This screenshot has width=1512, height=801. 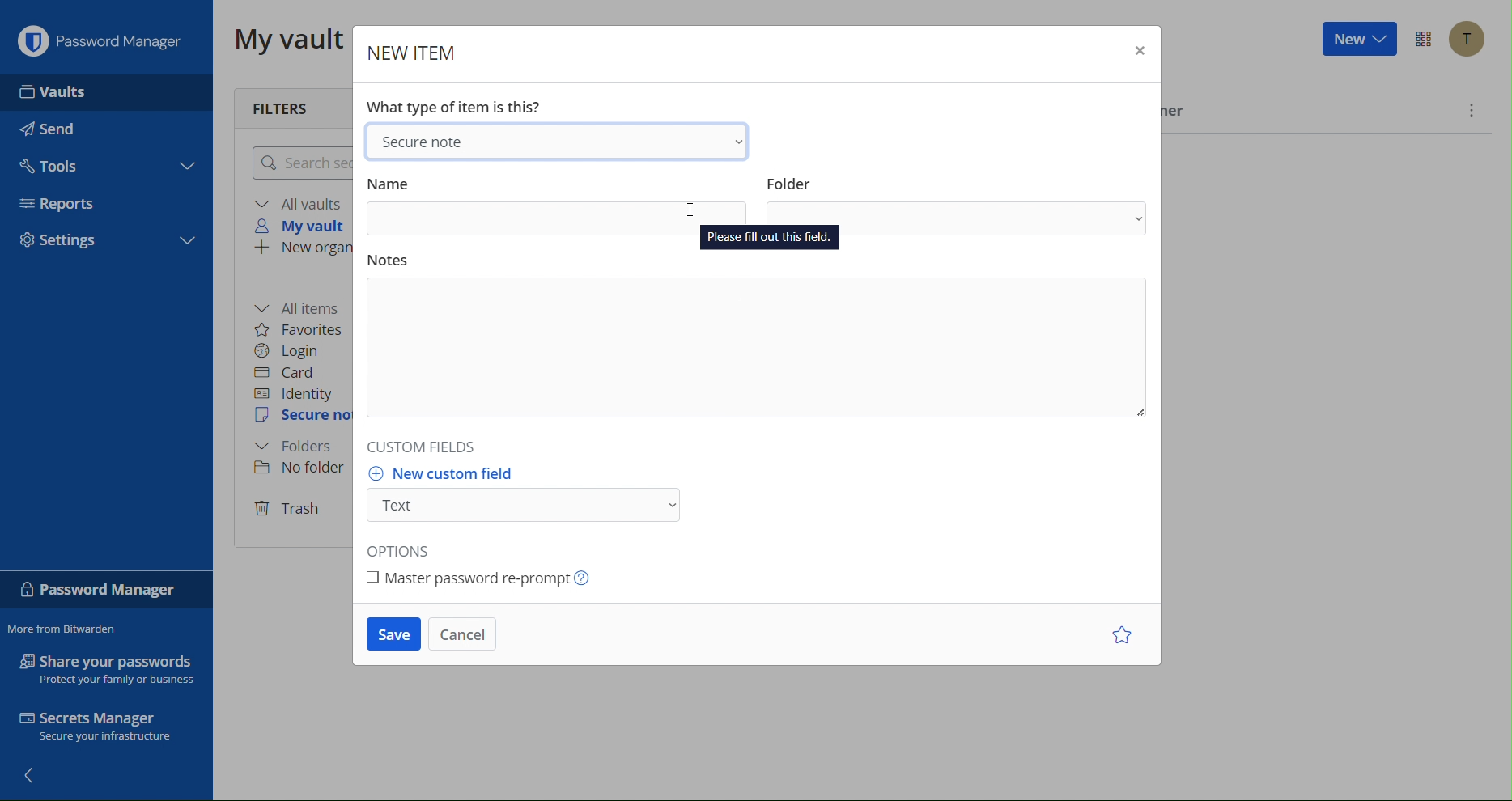 I want to click on Search logins, so click(x=299, y=163).